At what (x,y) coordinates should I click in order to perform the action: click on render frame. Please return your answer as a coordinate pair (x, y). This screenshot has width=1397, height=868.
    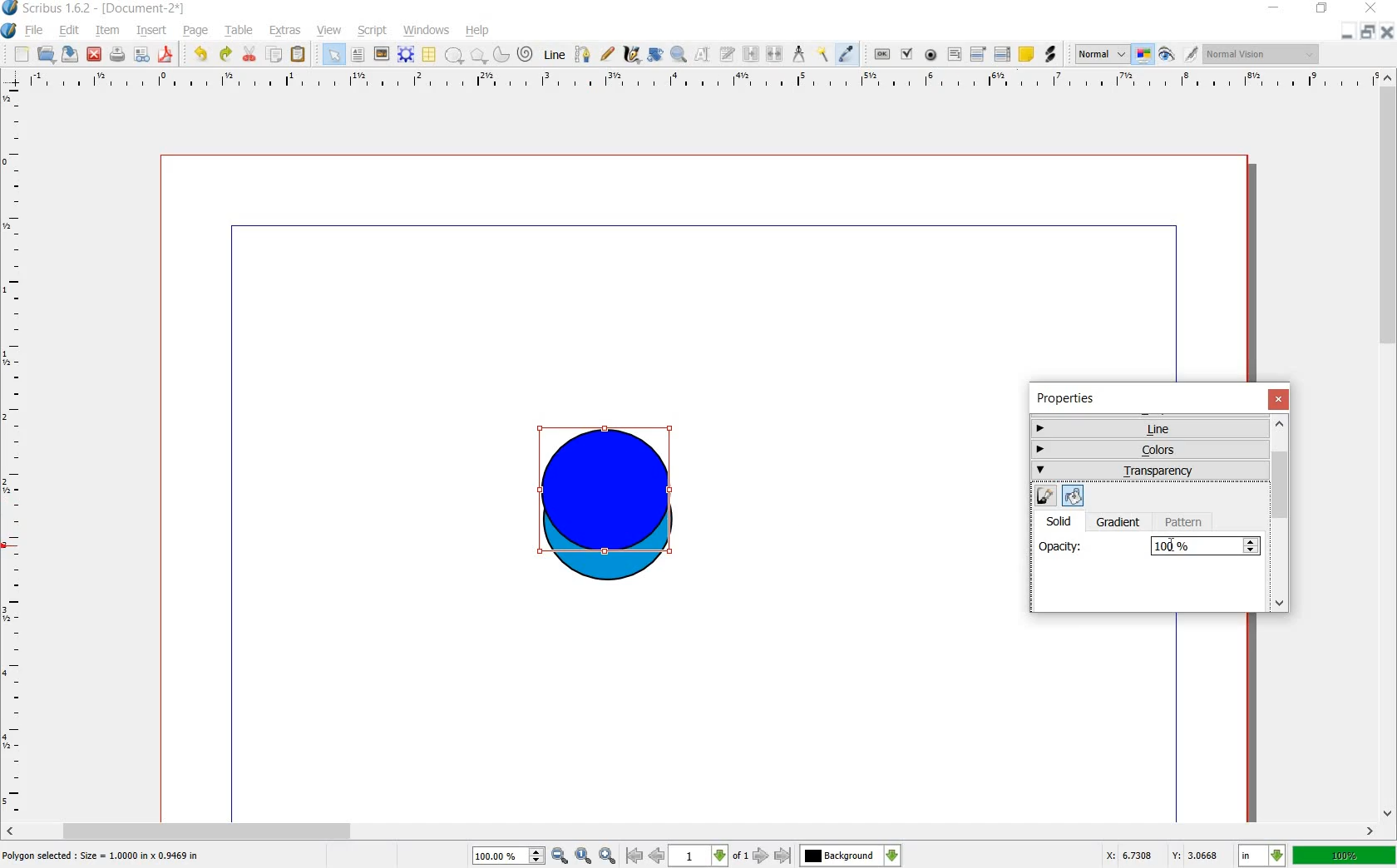
    Looking at the image, I should click on (405, 53).